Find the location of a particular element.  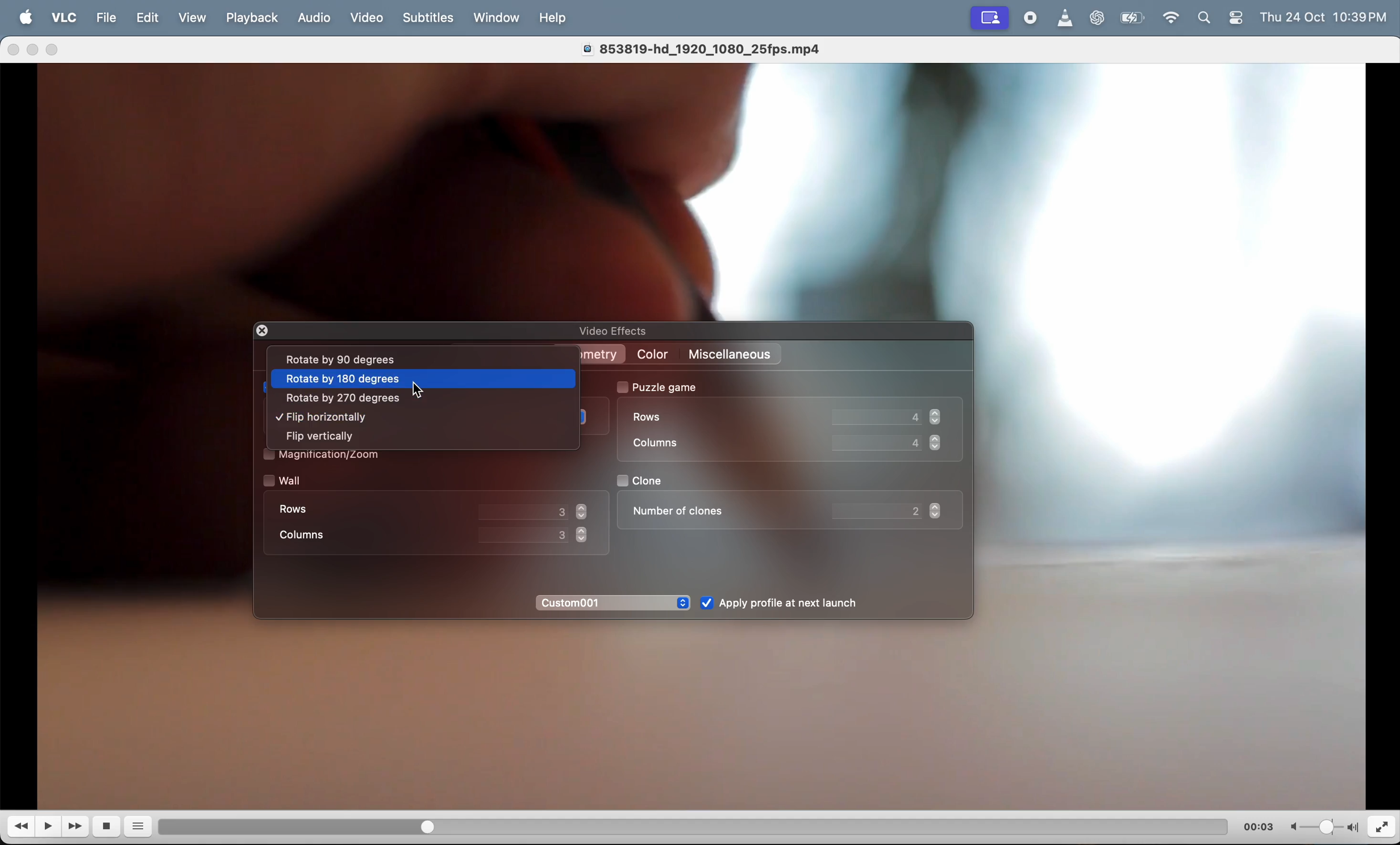

check box is located at coordinates (264, 480).